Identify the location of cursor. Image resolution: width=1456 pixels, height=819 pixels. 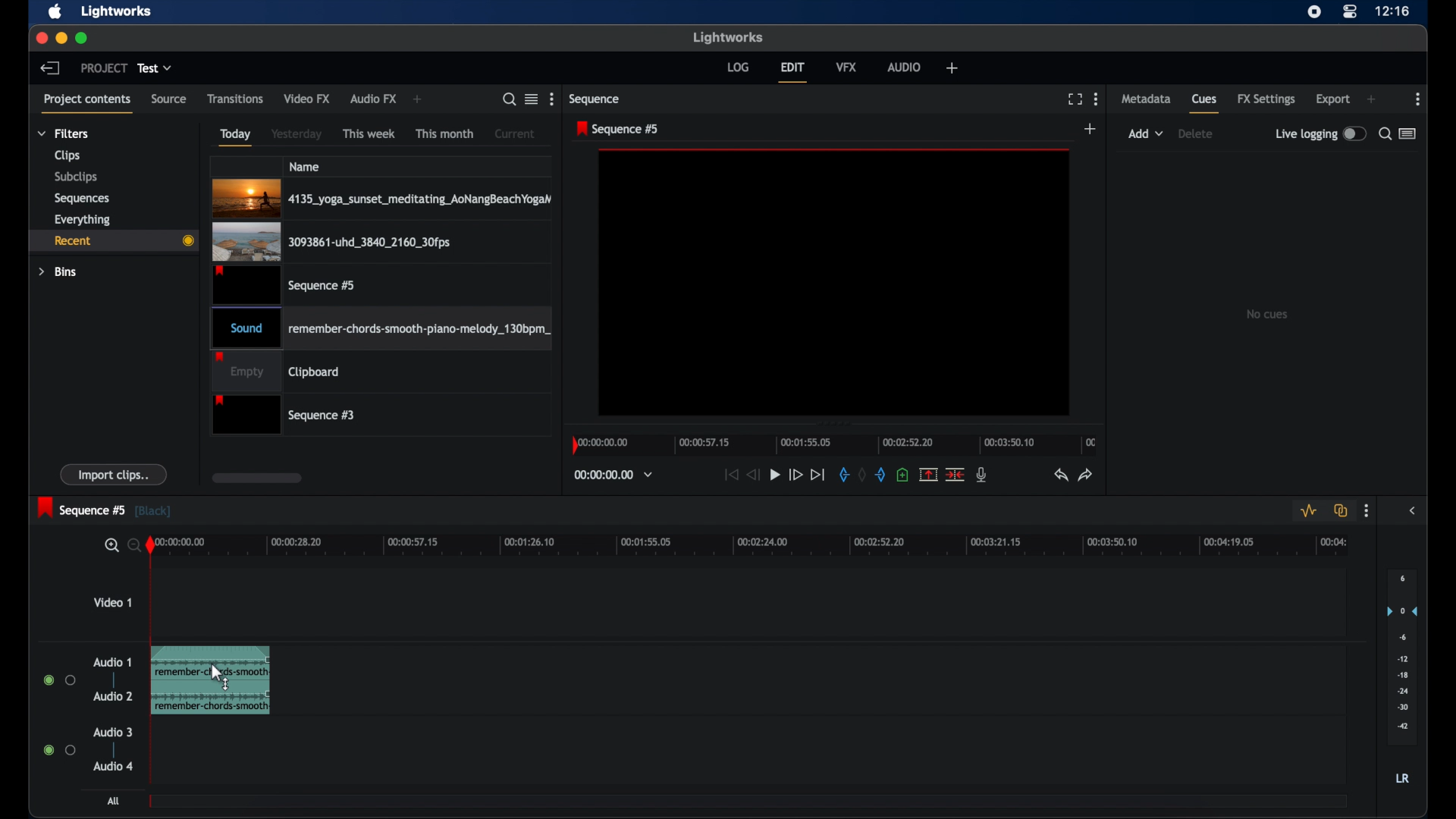
(218, 678).